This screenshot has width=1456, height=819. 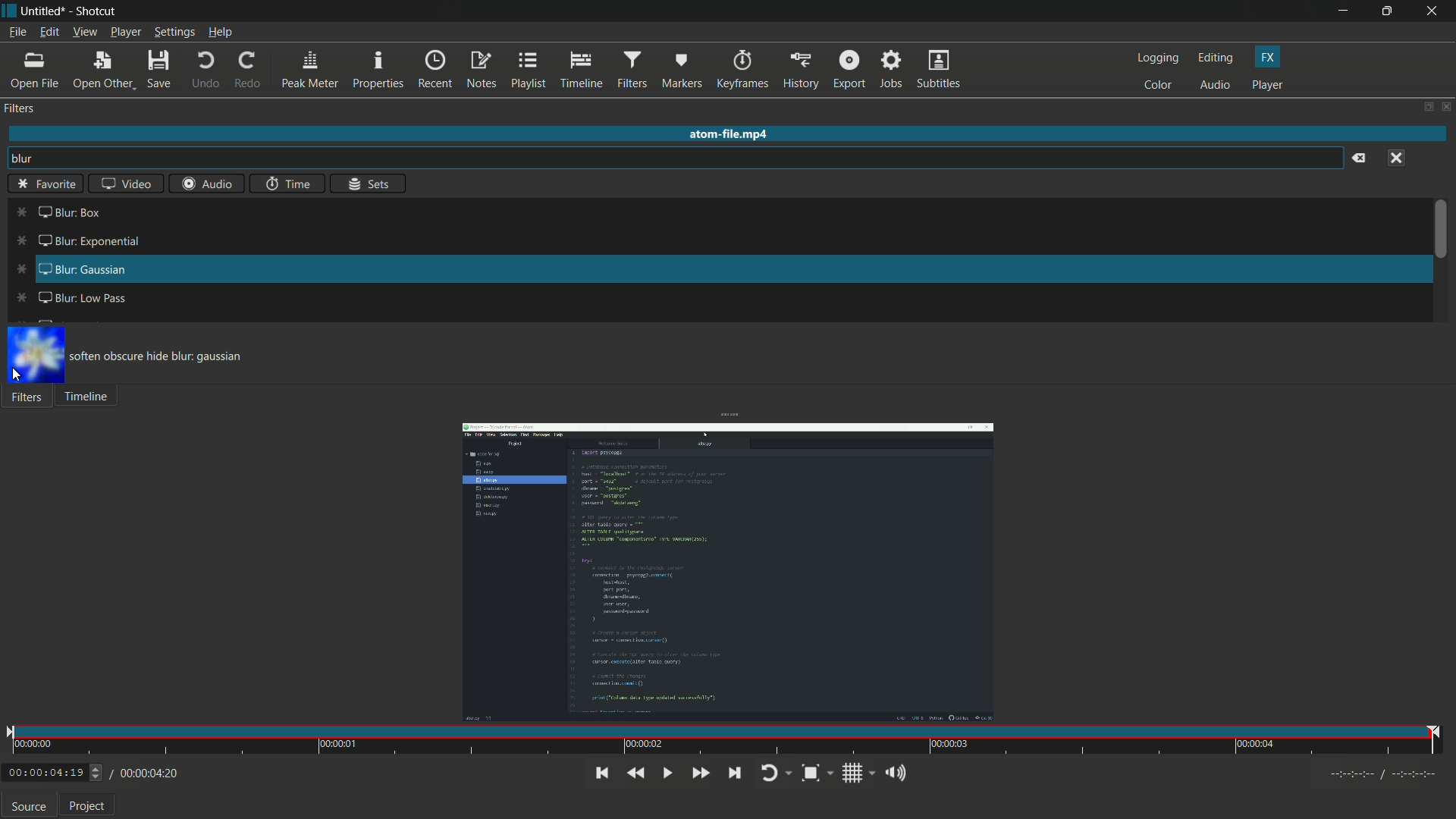 I want to click on sets, so click(x=371, y=185).